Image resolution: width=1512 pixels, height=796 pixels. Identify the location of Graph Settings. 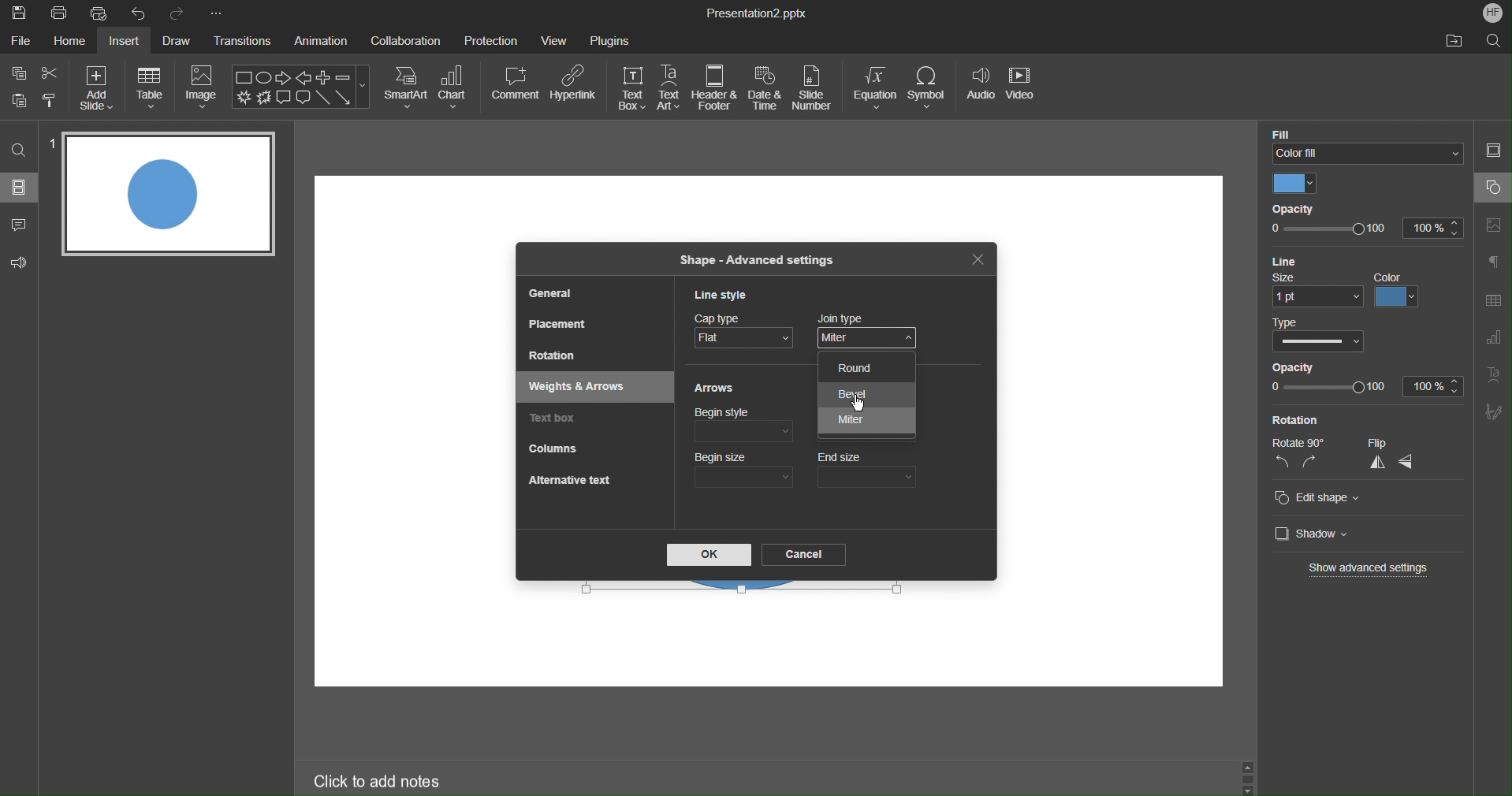
(1490, 340).